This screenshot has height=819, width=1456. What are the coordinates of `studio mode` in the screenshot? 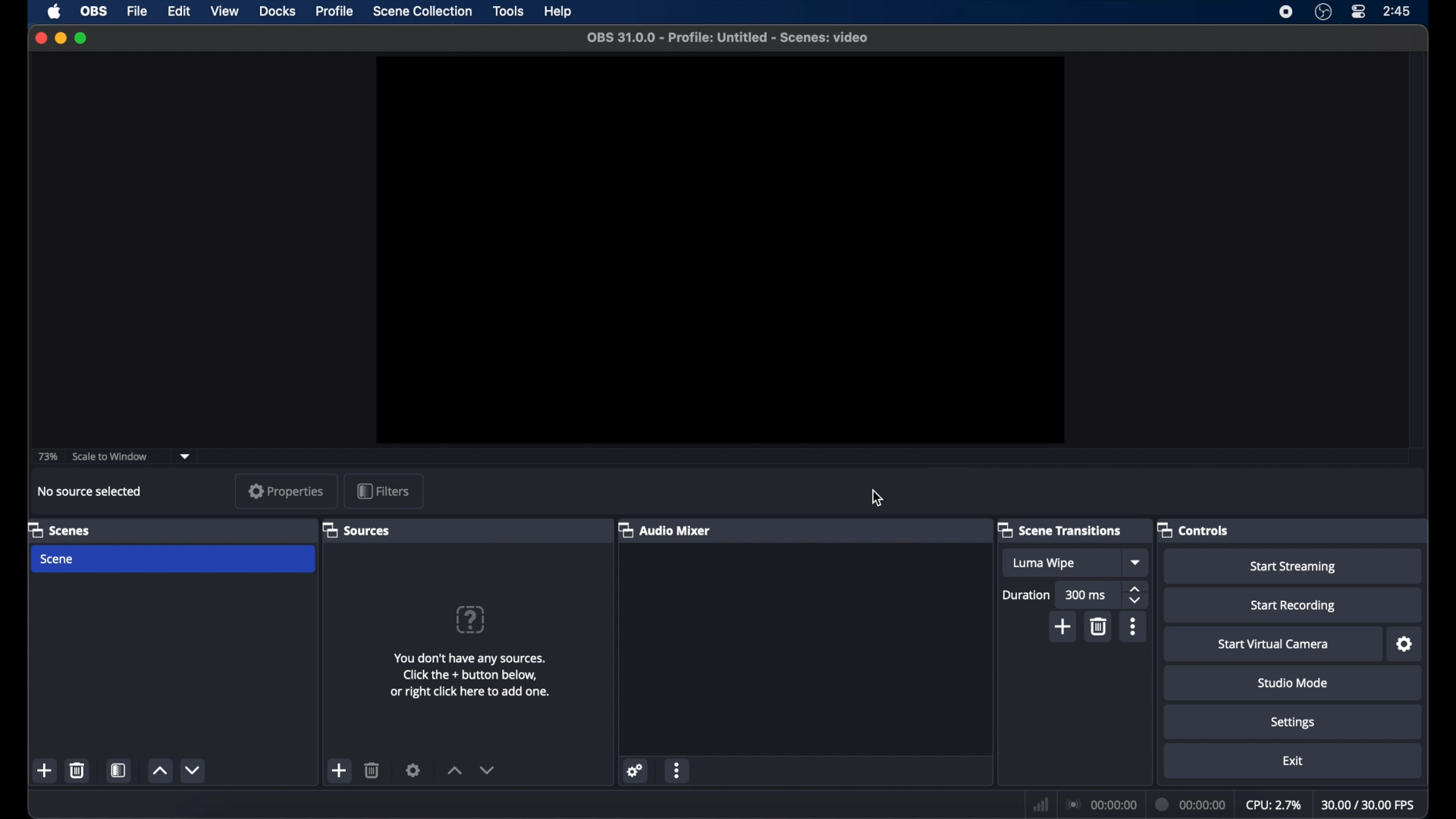 It's located at (1293, 682).